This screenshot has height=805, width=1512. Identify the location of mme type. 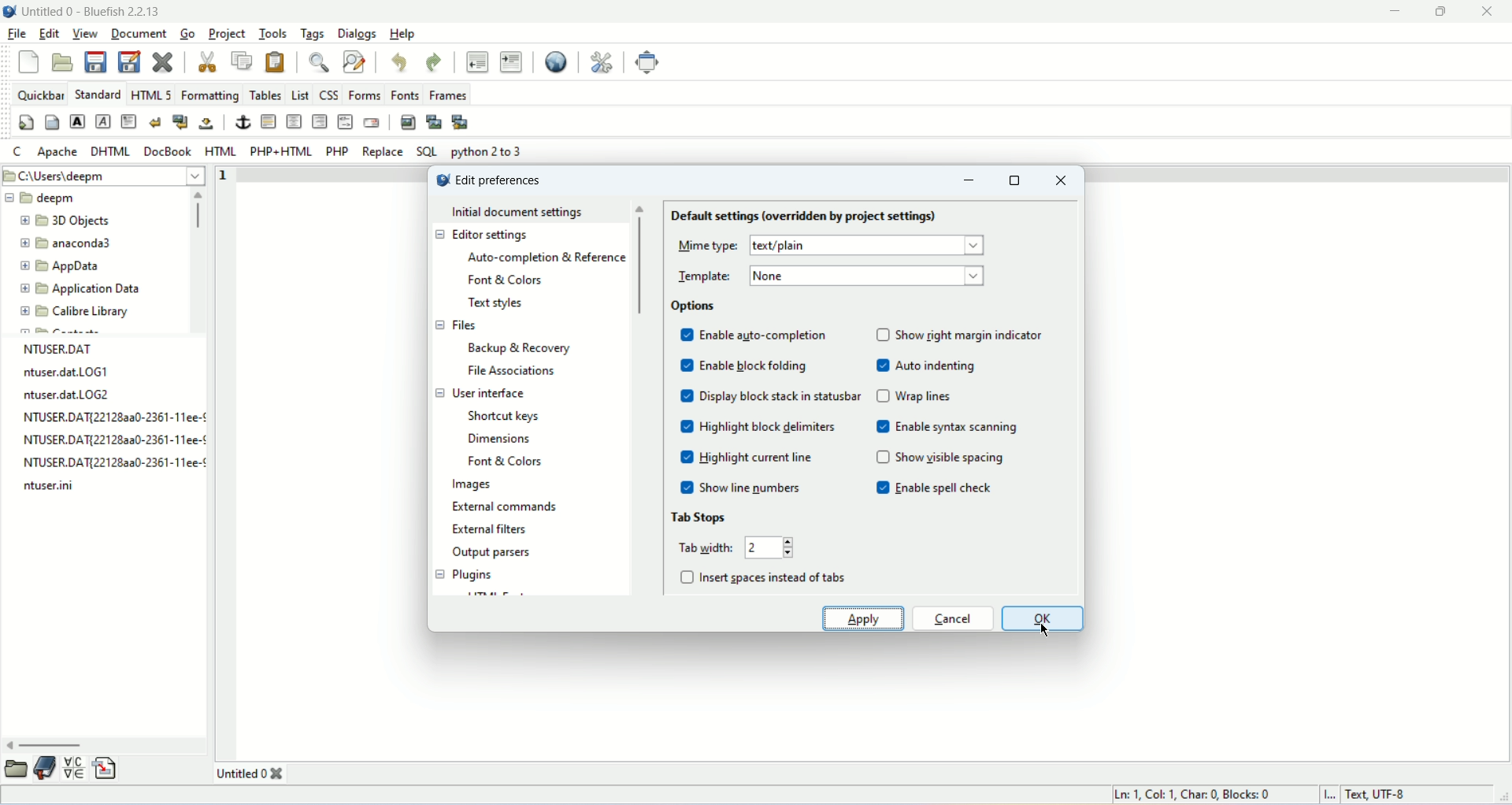
(702, 244).